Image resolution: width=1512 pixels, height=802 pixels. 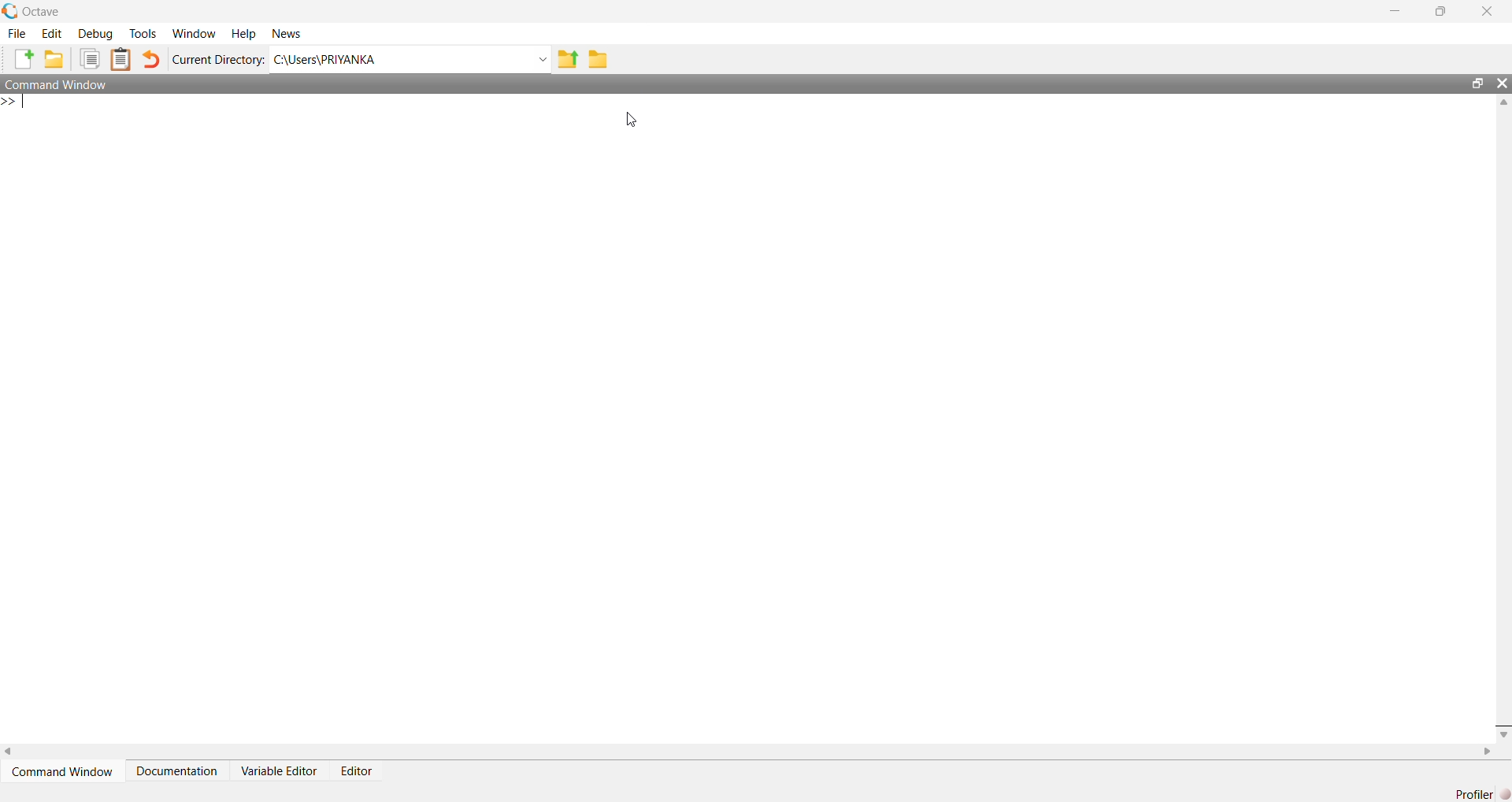 What do you see at coordinates (290, 35) in the screenshot?
I see `News` at bounding box center [290, 35].